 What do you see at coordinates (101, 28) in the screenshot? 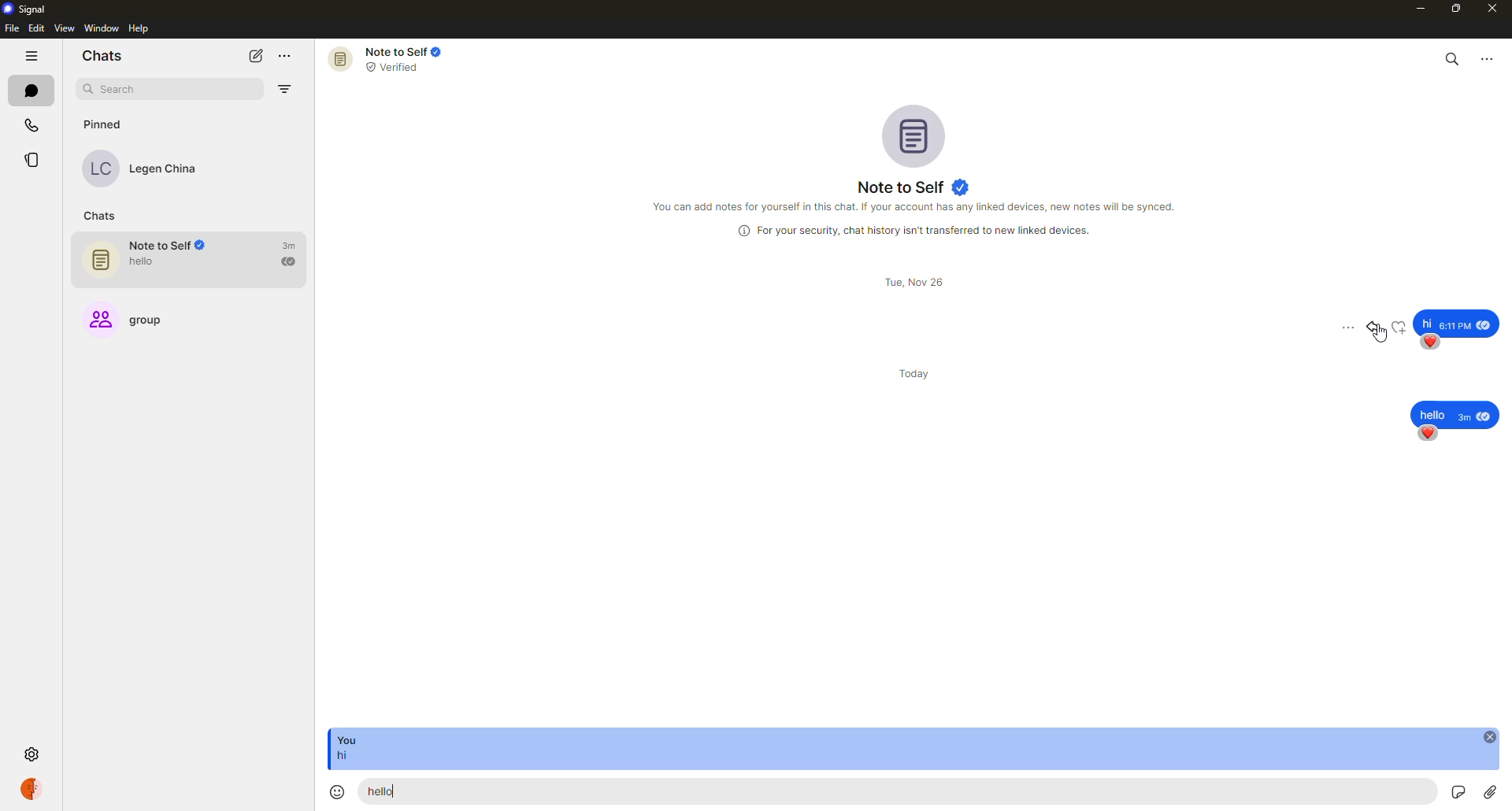
I see `window` at bounding box center [101, 28].